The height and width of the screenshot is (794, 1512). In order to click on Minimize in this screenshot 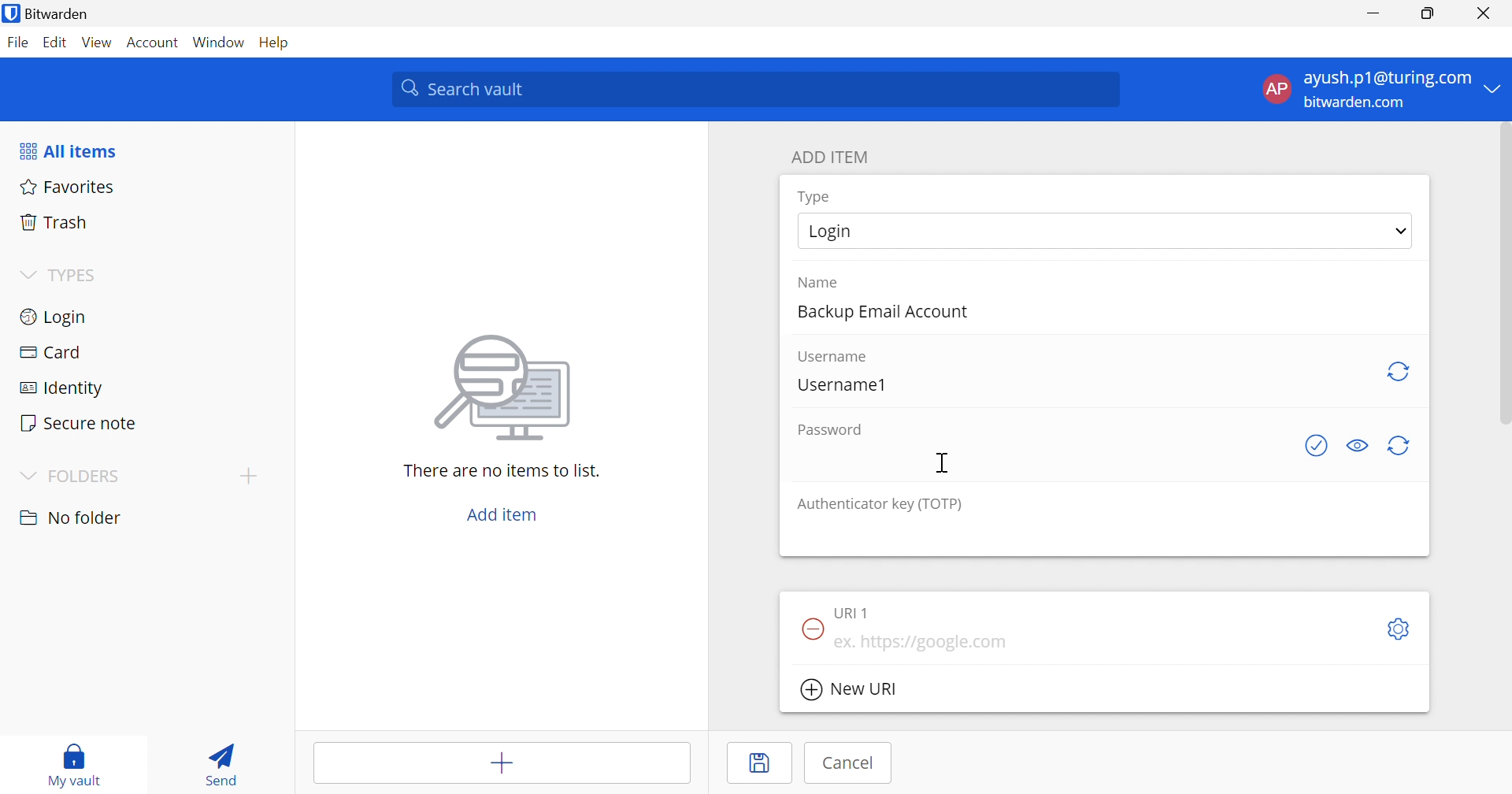, I will do `click(1373, 13)`.